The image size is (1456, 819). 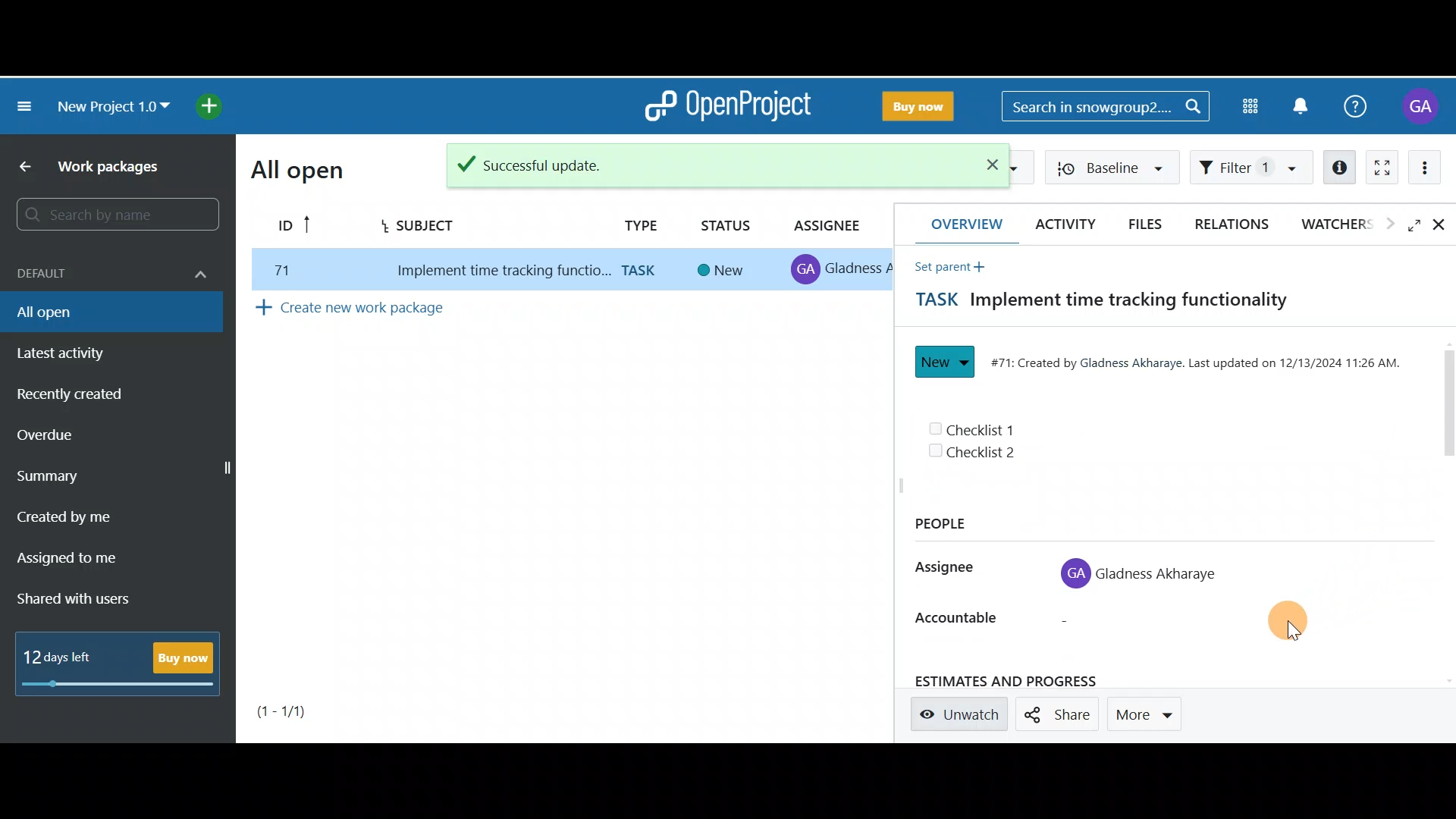 What do you see at coordinates (962, 714) in the screenshot?
I see `Unwatch` at bounding box center [962, 714].